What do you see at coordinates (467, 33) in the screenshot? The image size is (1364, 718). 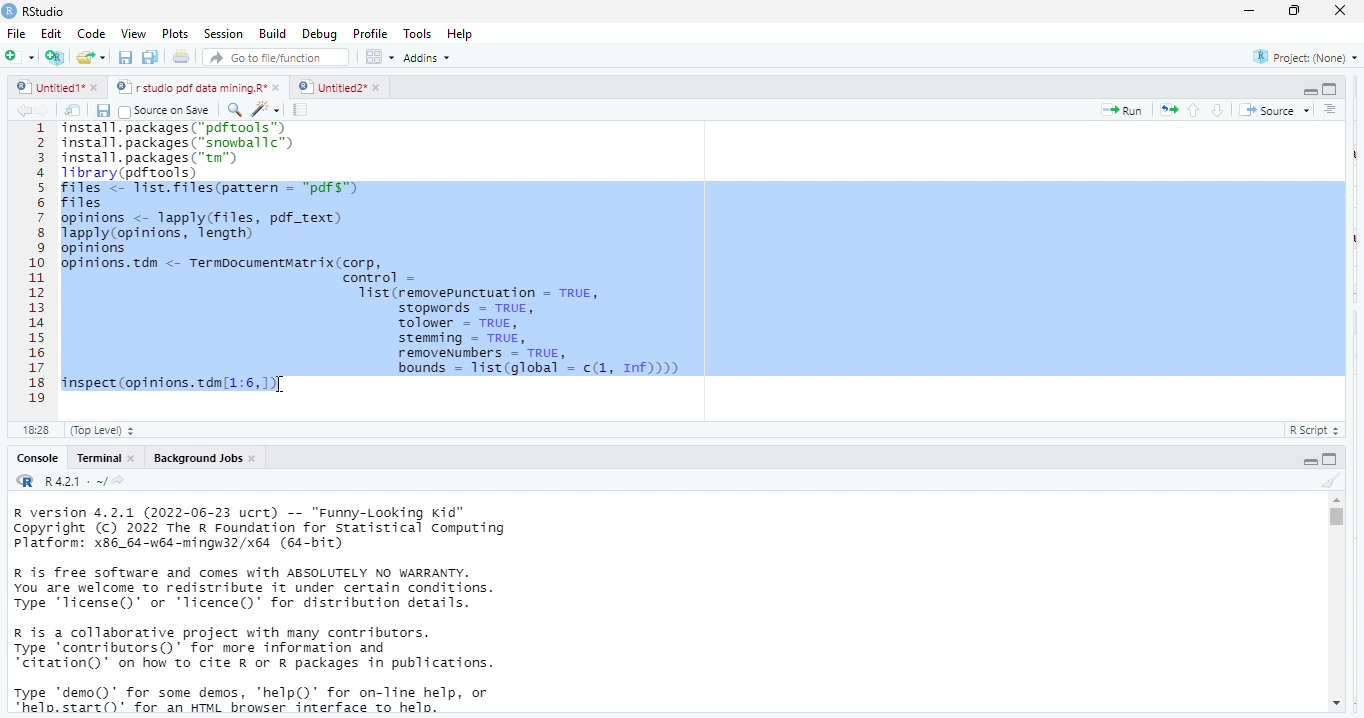 I see `help` at bounding box center [467, 33].